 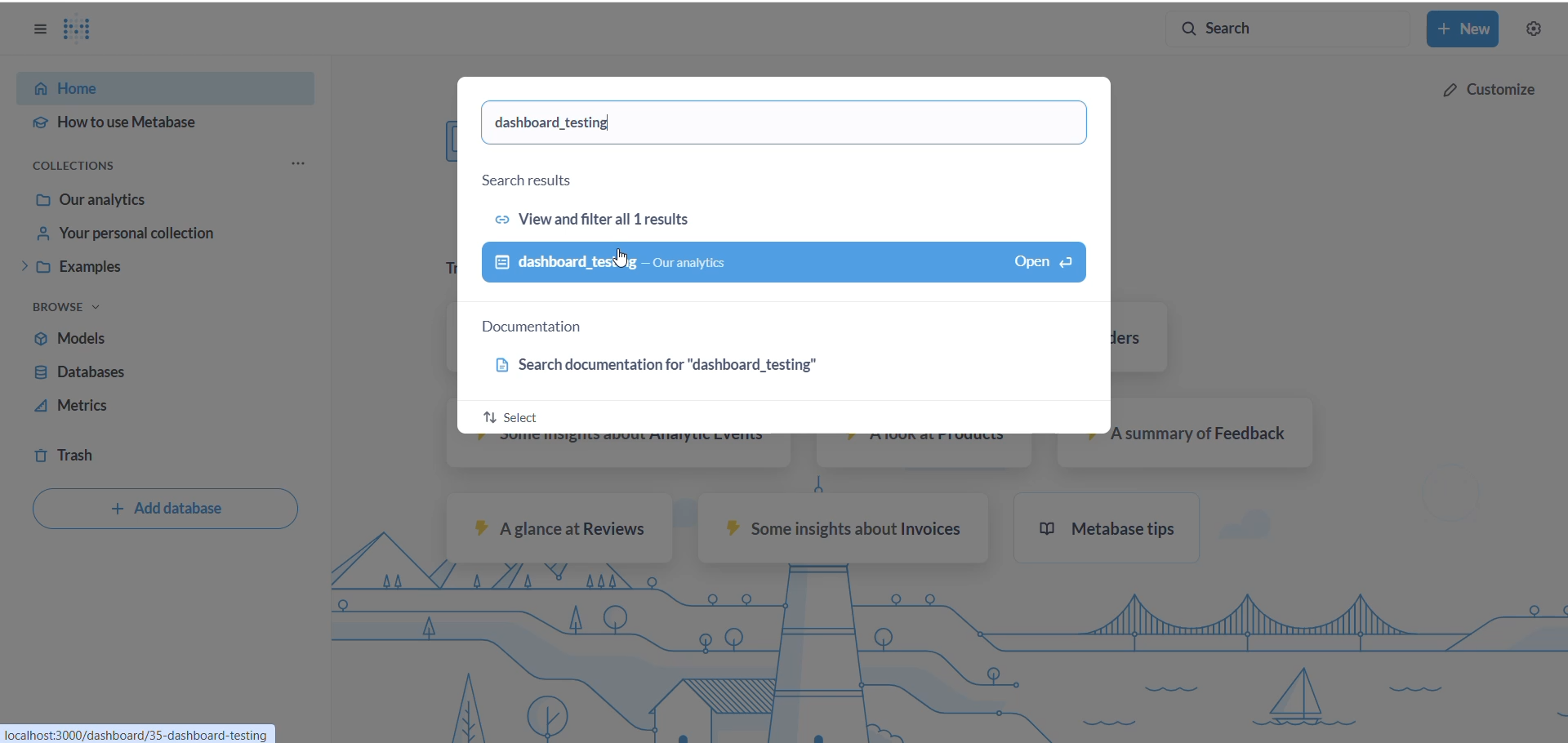 What do you see at coordinates (158, 122) in the screenshot?
I see `how to use metabase` at bounding box center [158, 122].